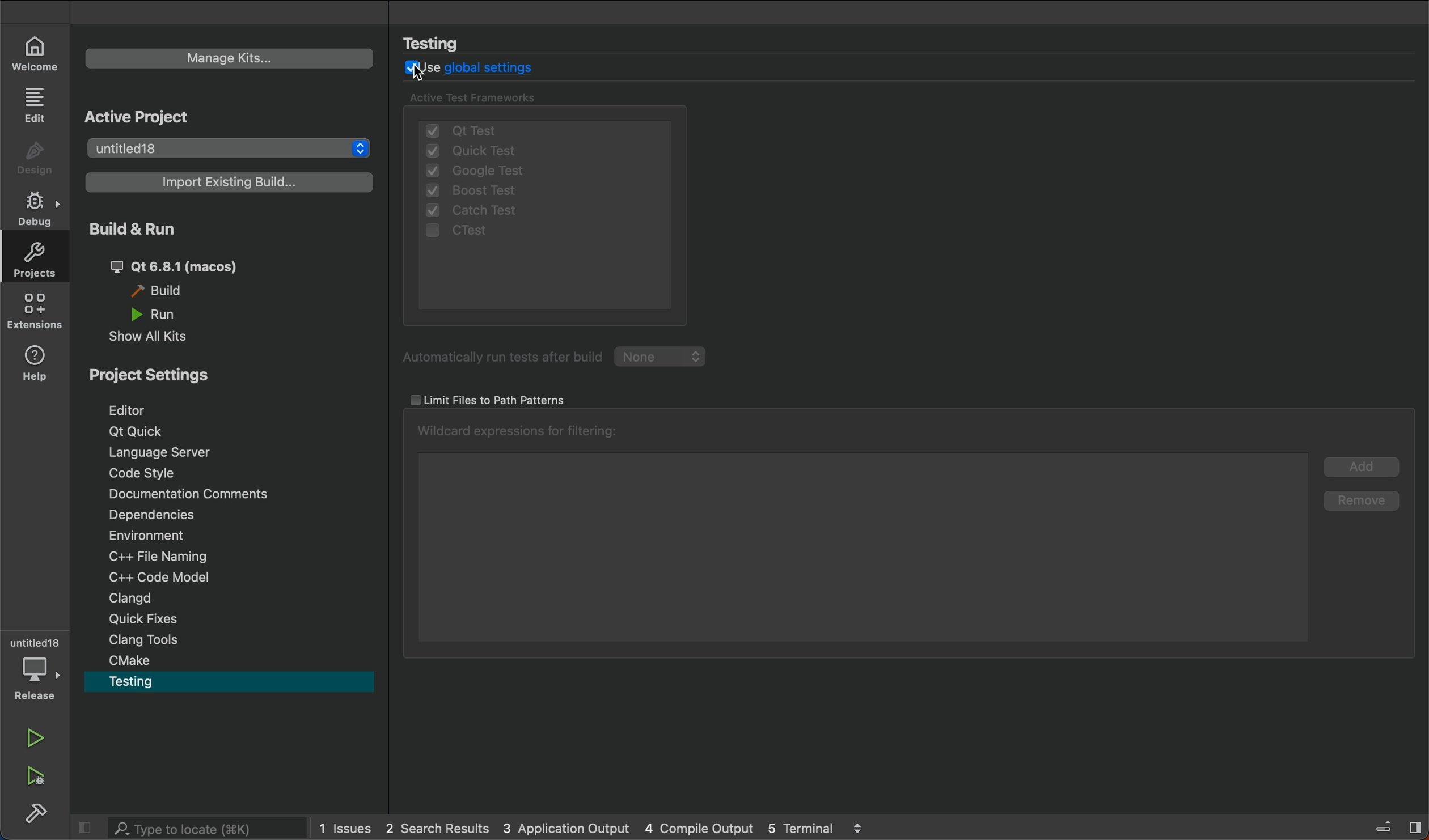 The image size is (1429, 840). What do you see at coordinates (234, 600) in the screenshot?
I see `clangd` at bounding box center [234, 600].